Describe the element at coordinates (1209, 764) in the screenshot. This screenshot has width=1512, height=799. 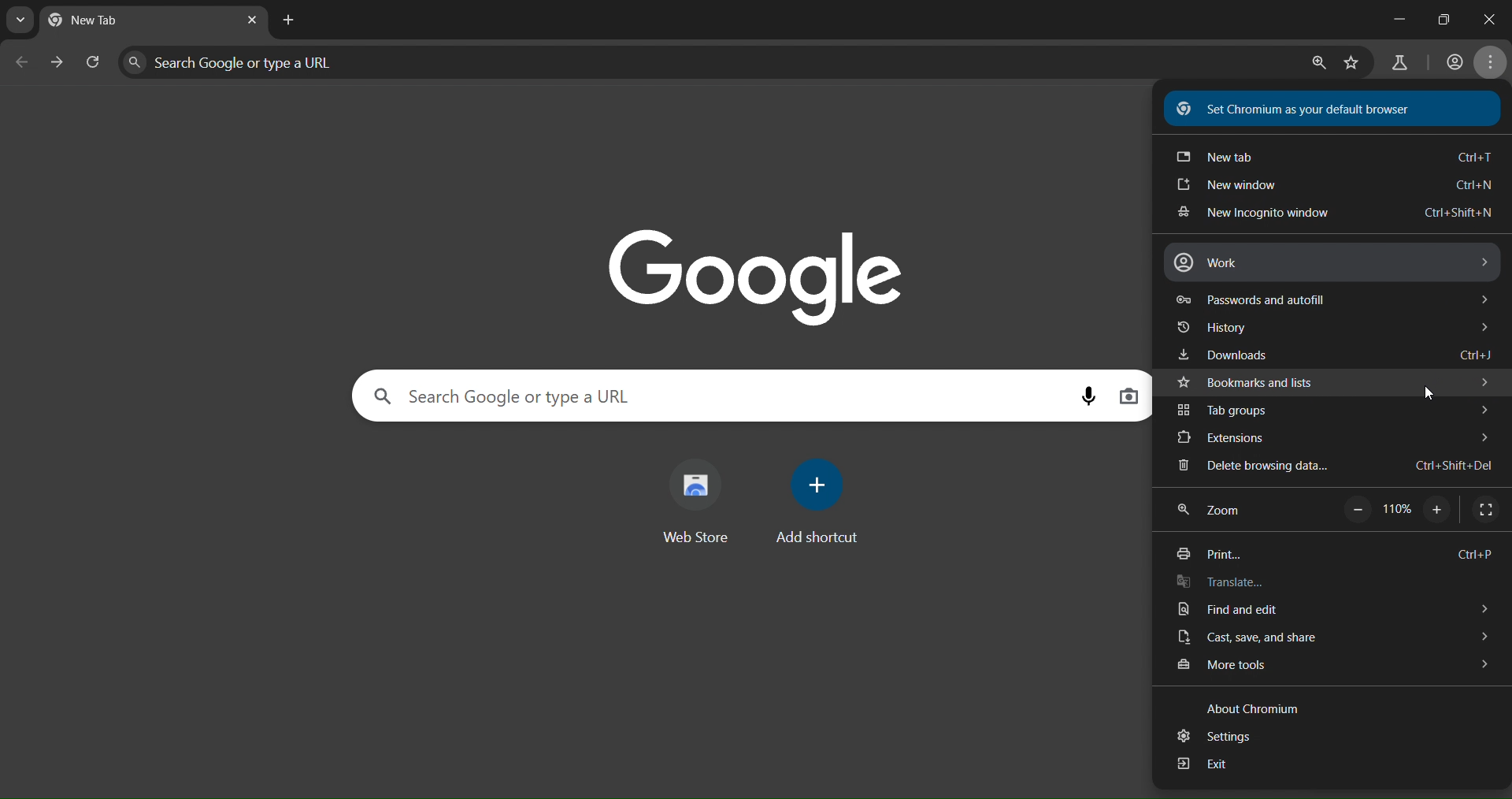
I see `exit` at that location.